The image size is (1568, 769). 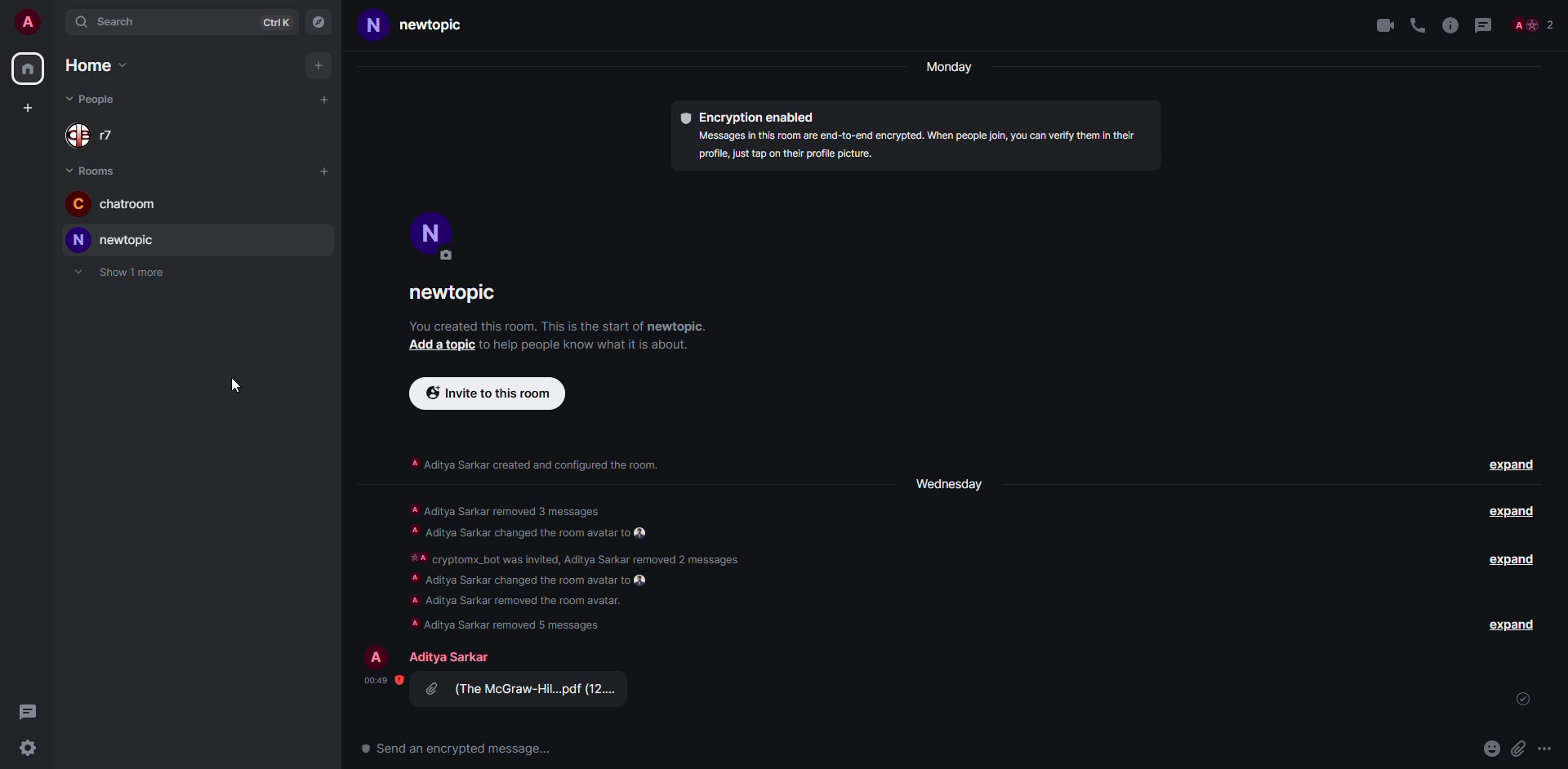 I want to click on adjust, so click(x=194, y=288).